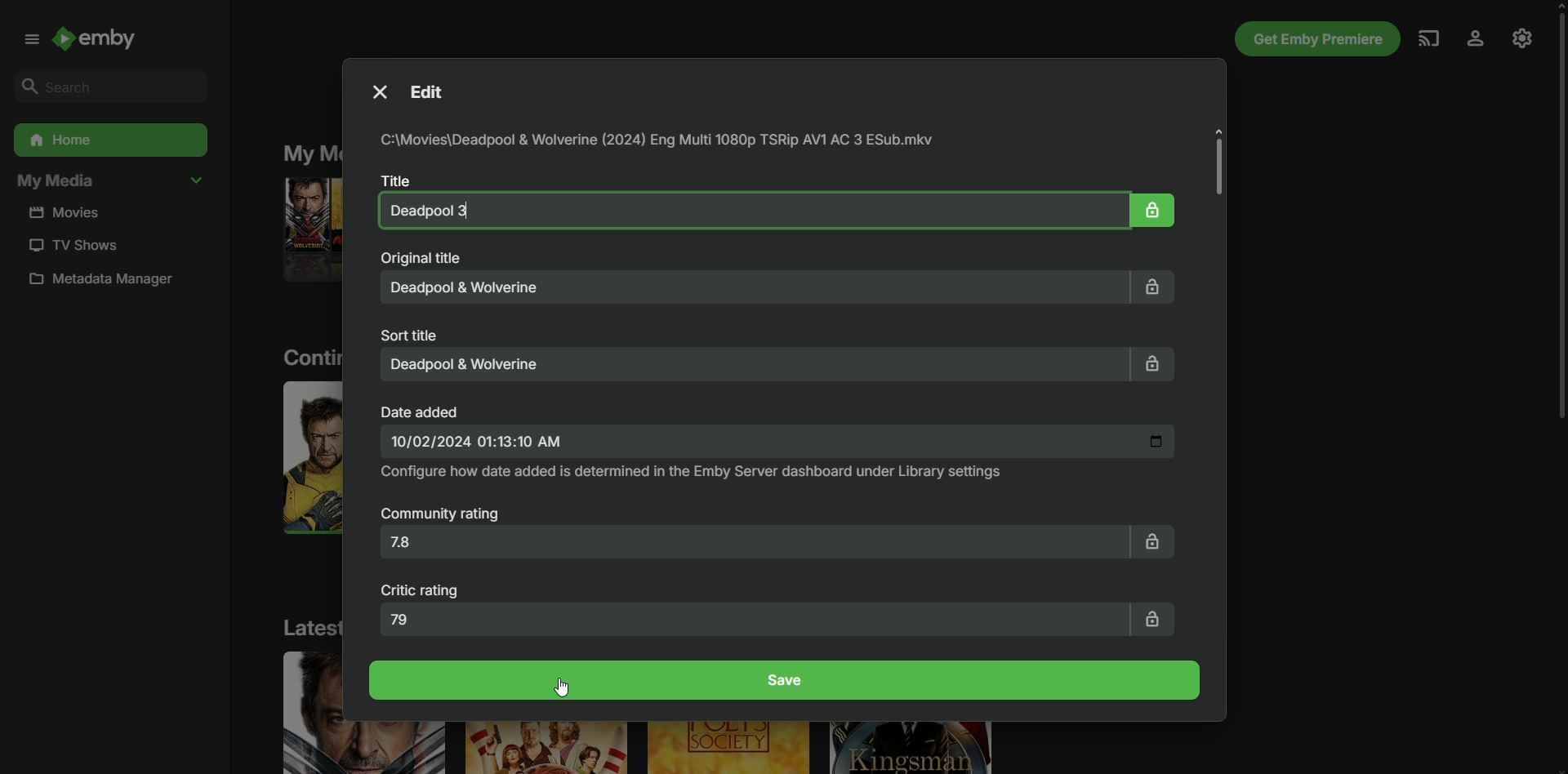 This screenshot has height=774, width=1568. I want to click on Critic rating, so click(423, 591).